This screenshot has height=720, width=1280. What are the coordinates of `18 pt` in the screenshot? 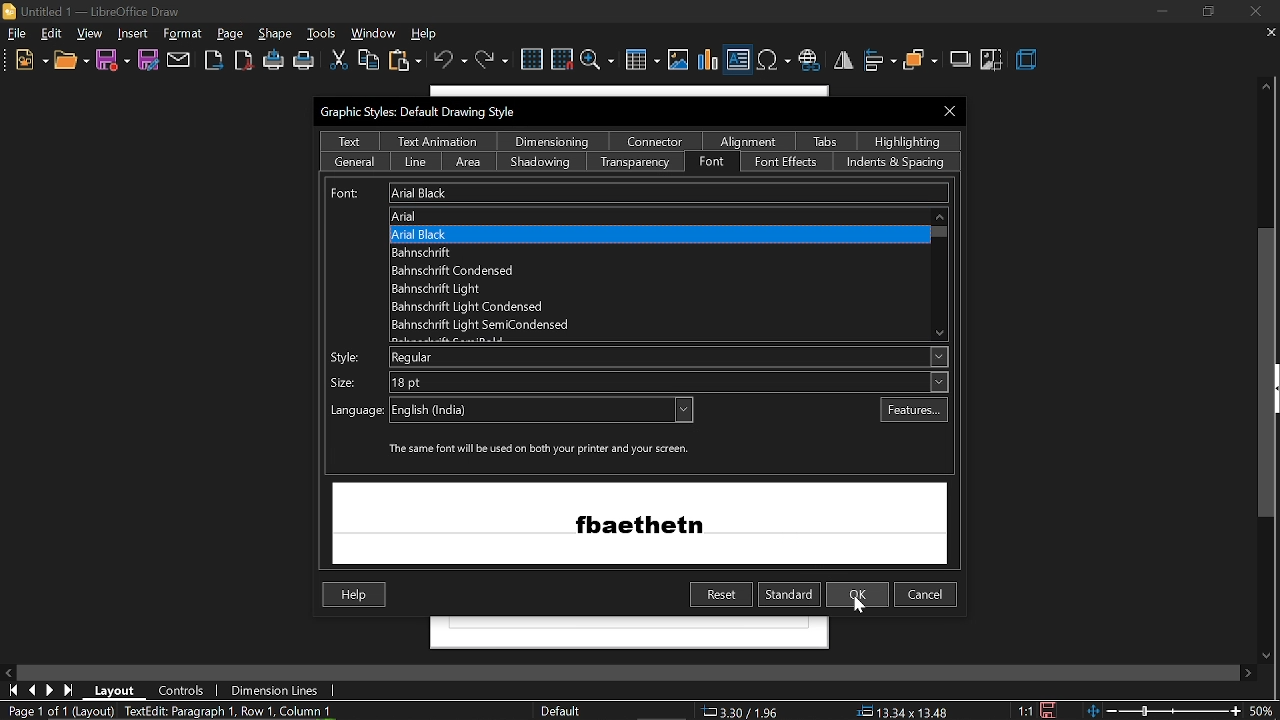 It's located at (663, 383).